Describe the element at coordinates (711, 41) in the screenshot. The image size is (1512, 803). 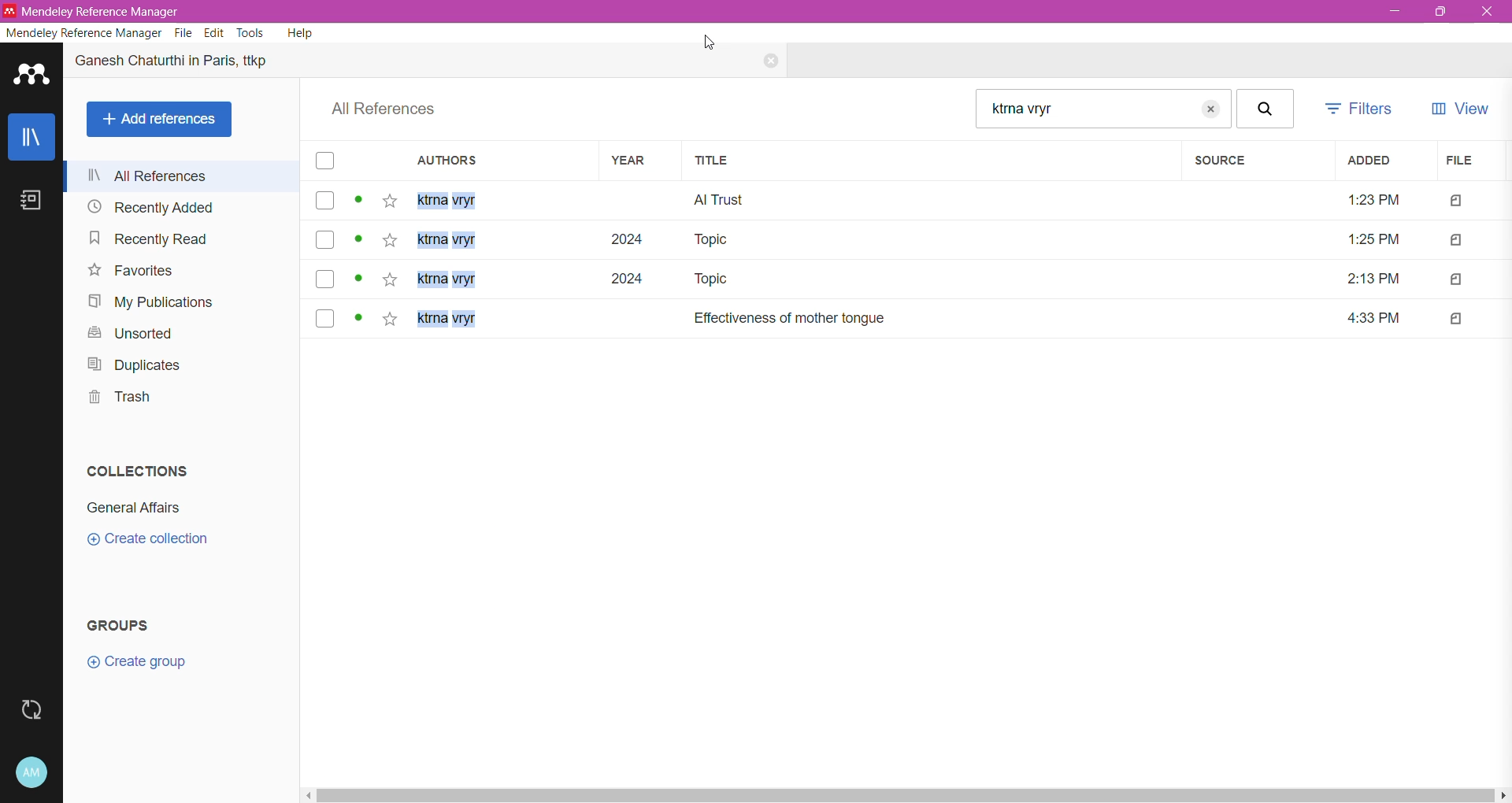
I see `Cursor ` at that location.